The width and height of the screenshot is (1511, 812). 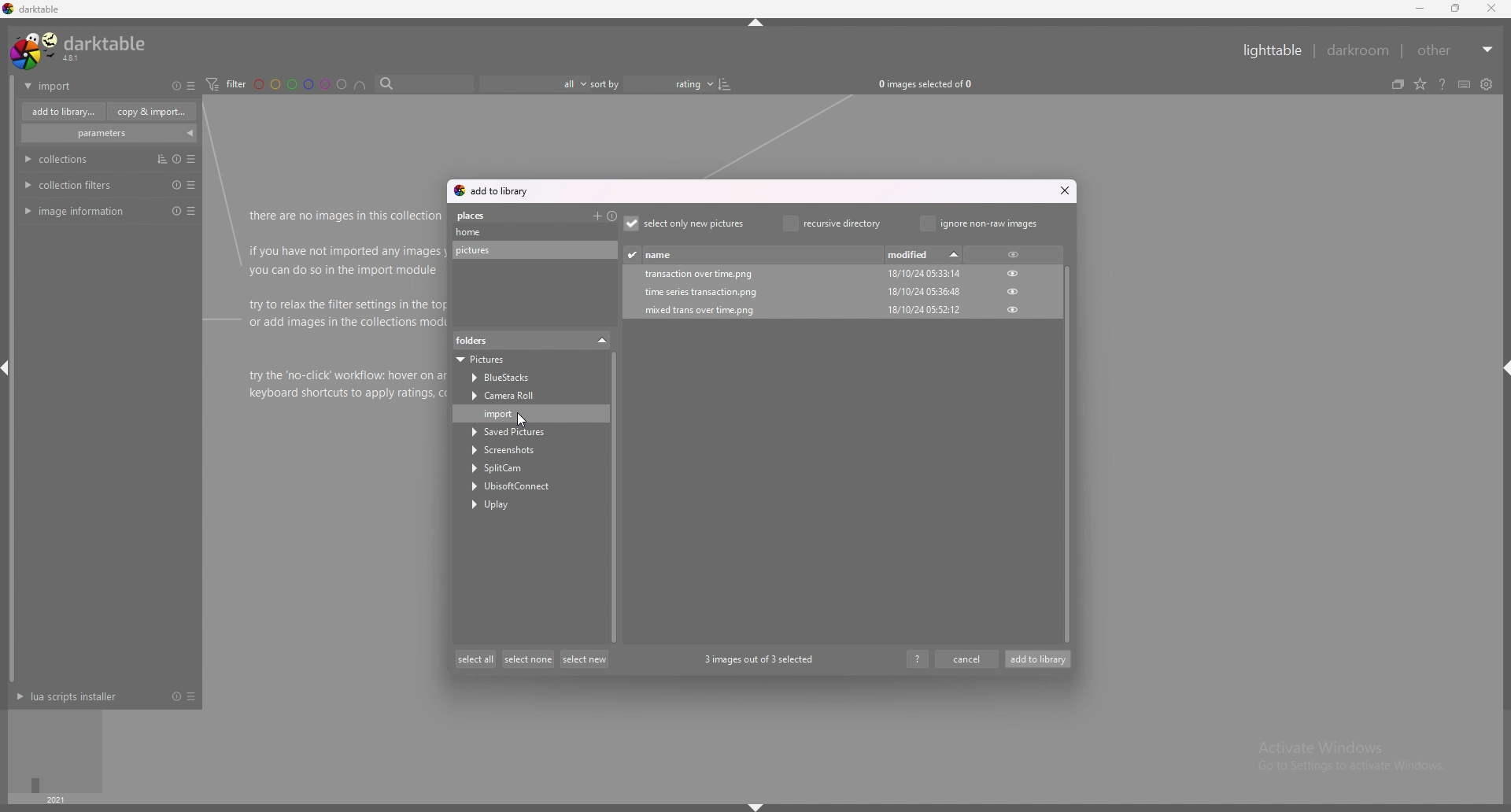 I want to click on help, so click(x=918, y=659).